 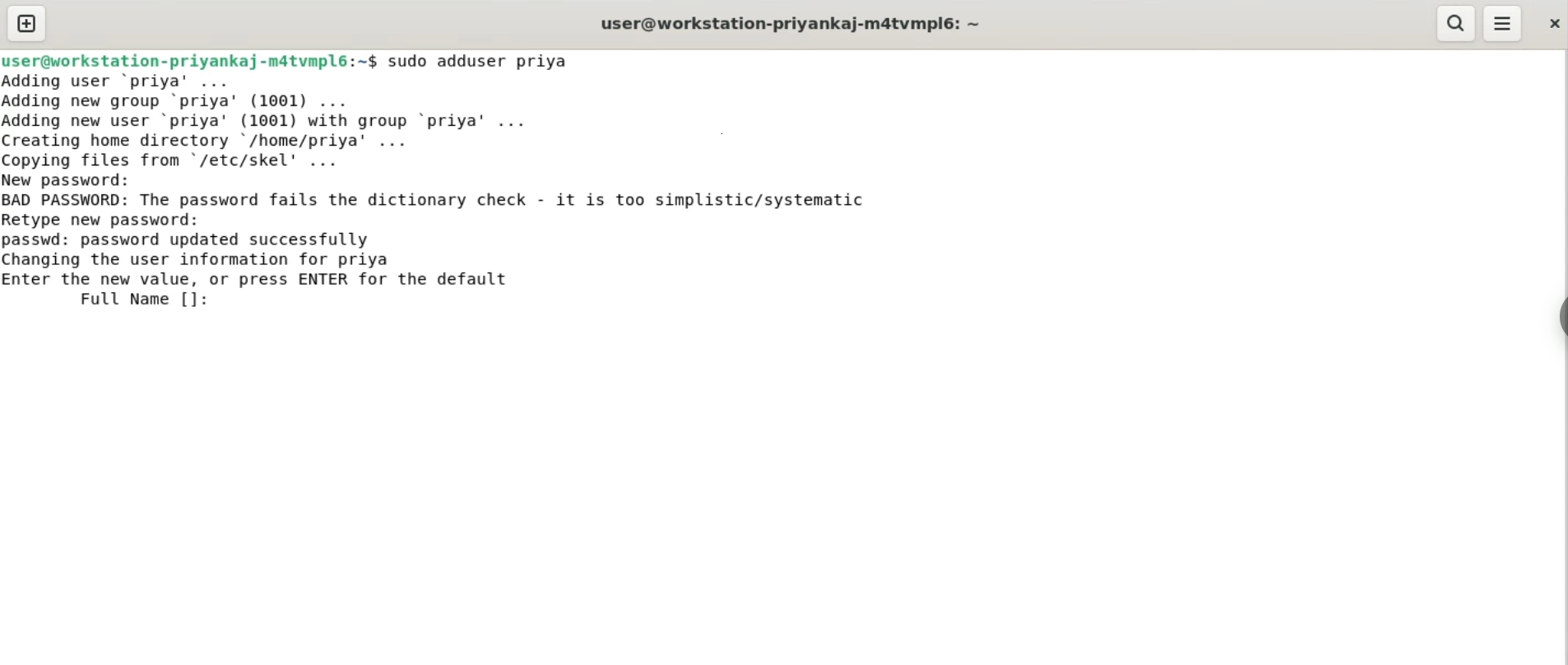 I want to click on menu, so click(x=1503, y=24).